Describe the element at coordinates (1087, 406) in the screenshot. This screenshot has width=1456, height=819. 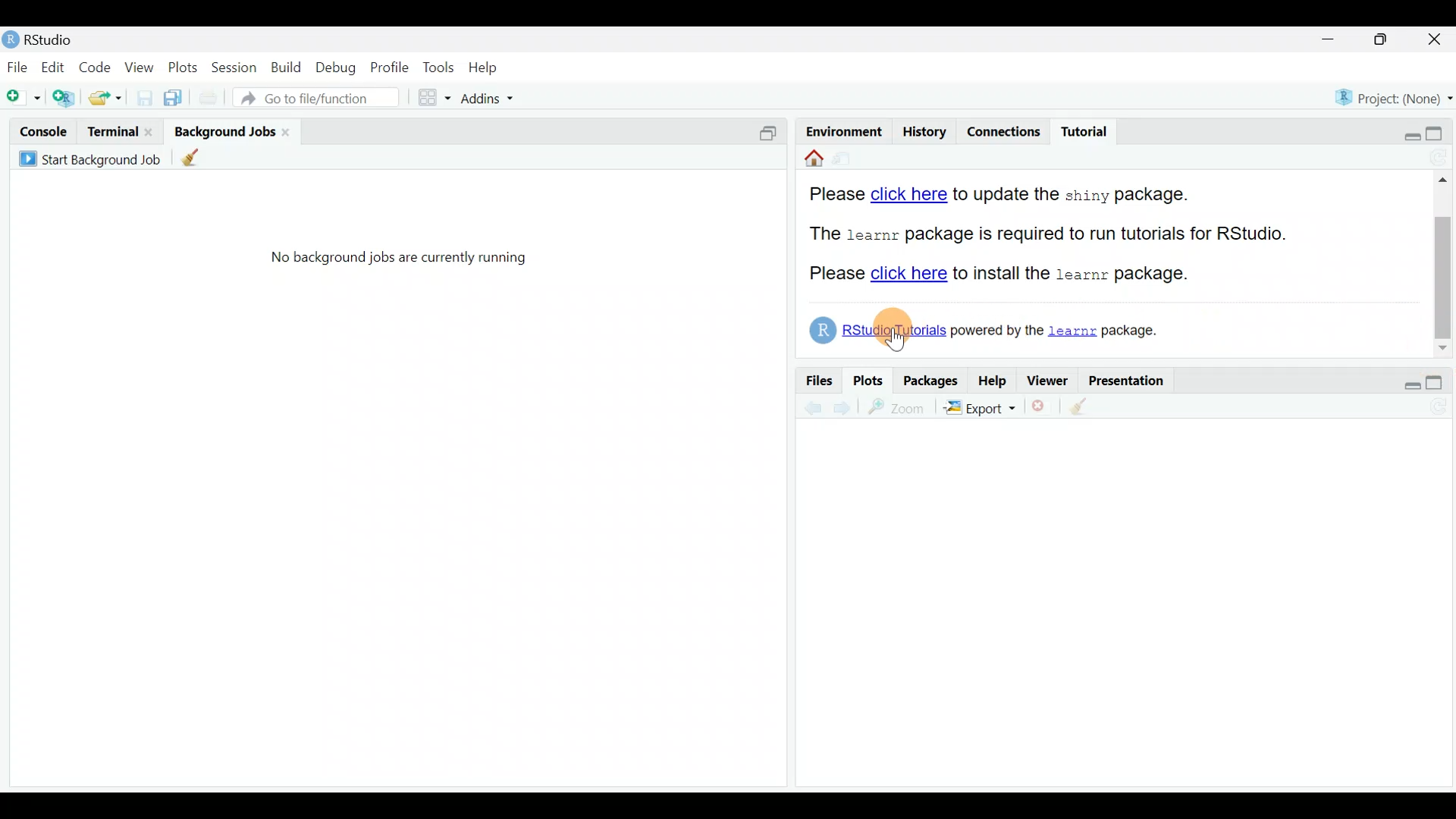
I see `Clear all plots` at that location.